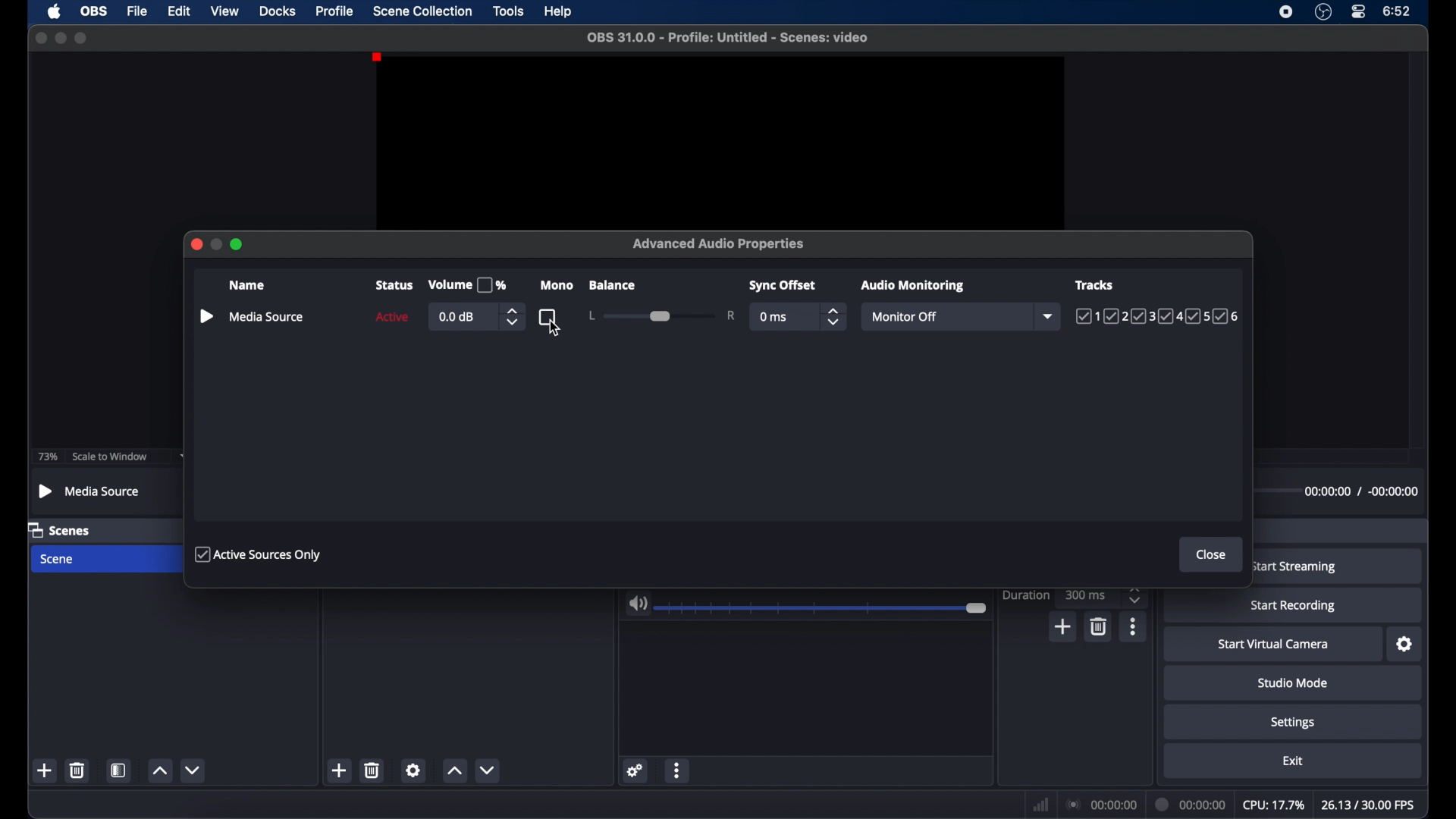  Describe the element at coordinates (224, 10) in the screenshot. I see `view` at that location.